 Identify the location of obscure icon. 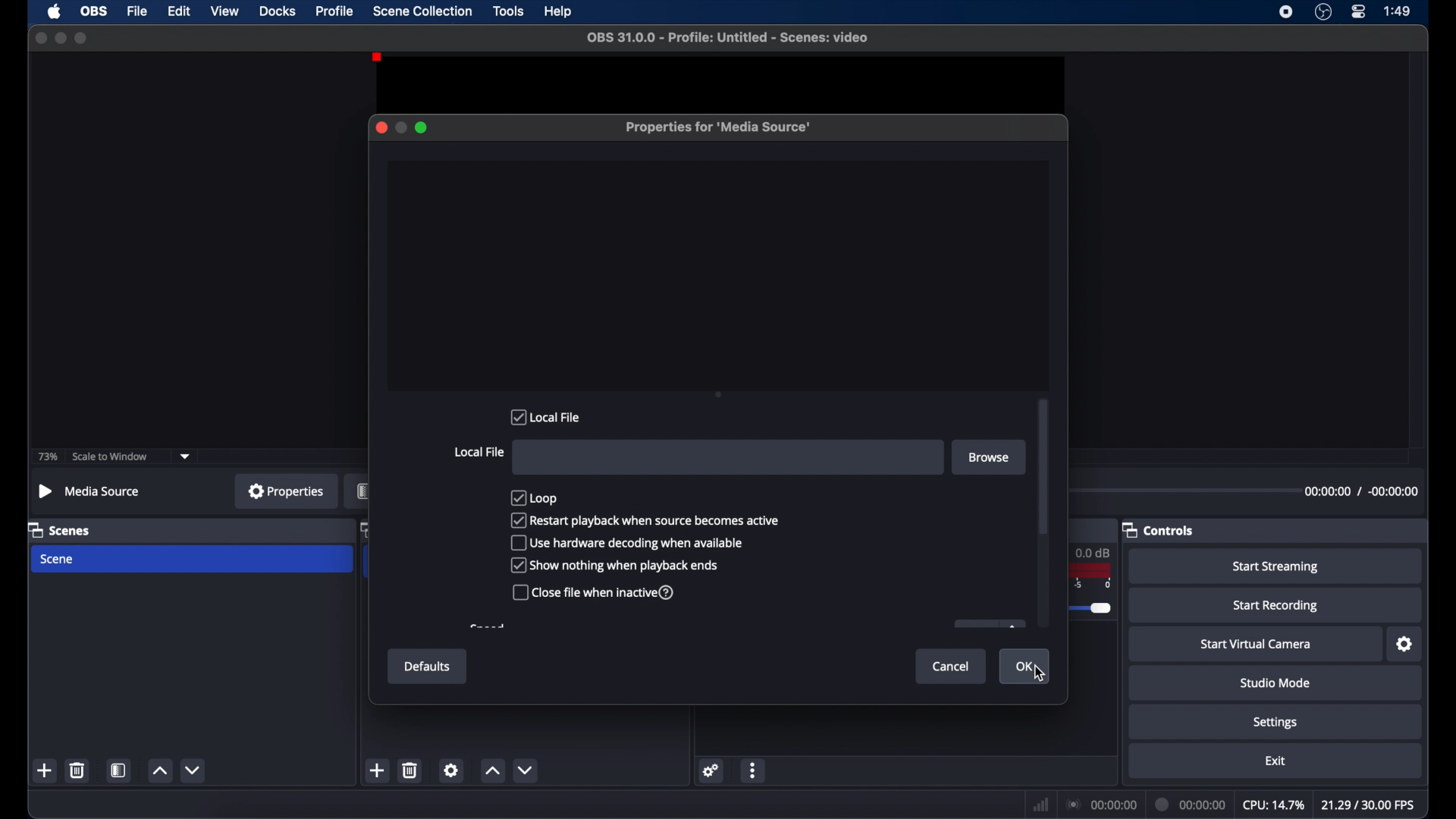
(989, 624).